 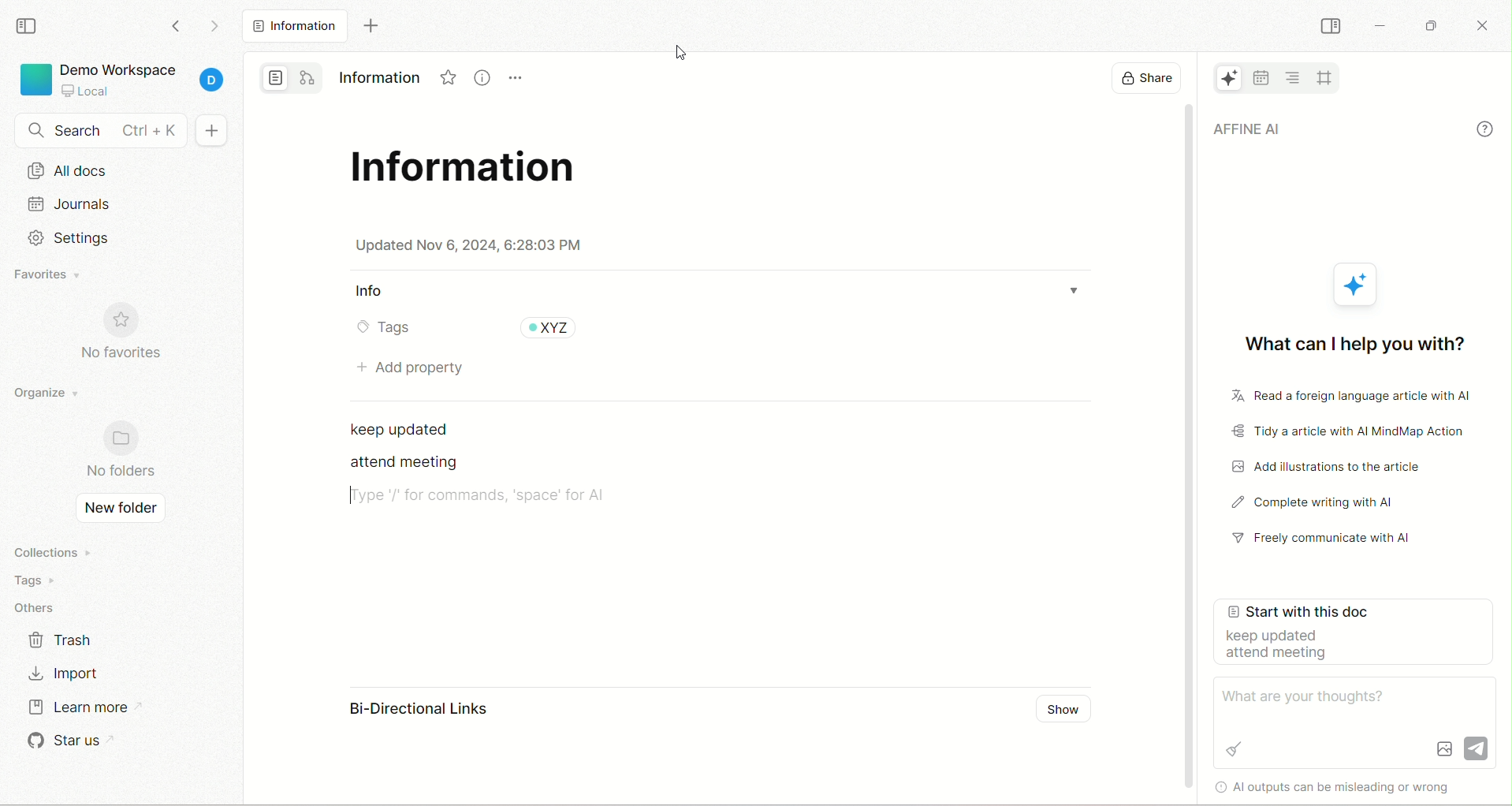 What do you see at coordinates (373, 292) in the screenshot?
I see `Info` at bounding box center [373, 292].